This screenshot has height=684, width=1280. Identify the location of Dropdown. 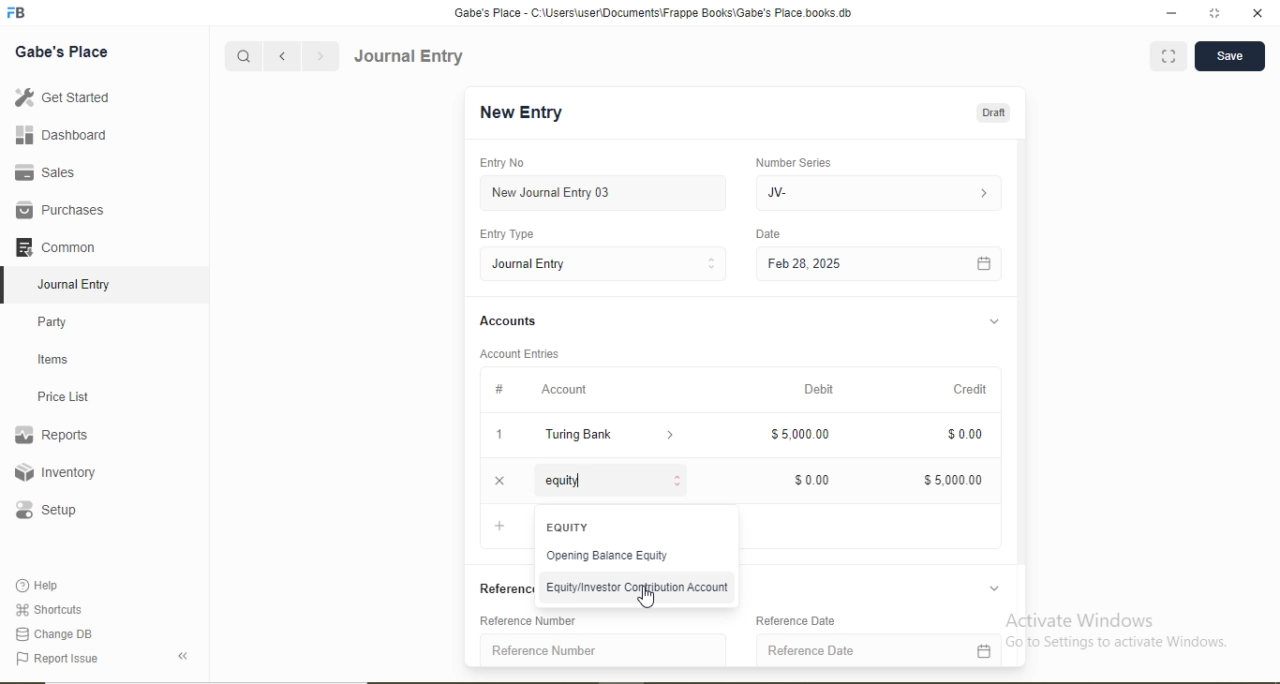
(994, 588).